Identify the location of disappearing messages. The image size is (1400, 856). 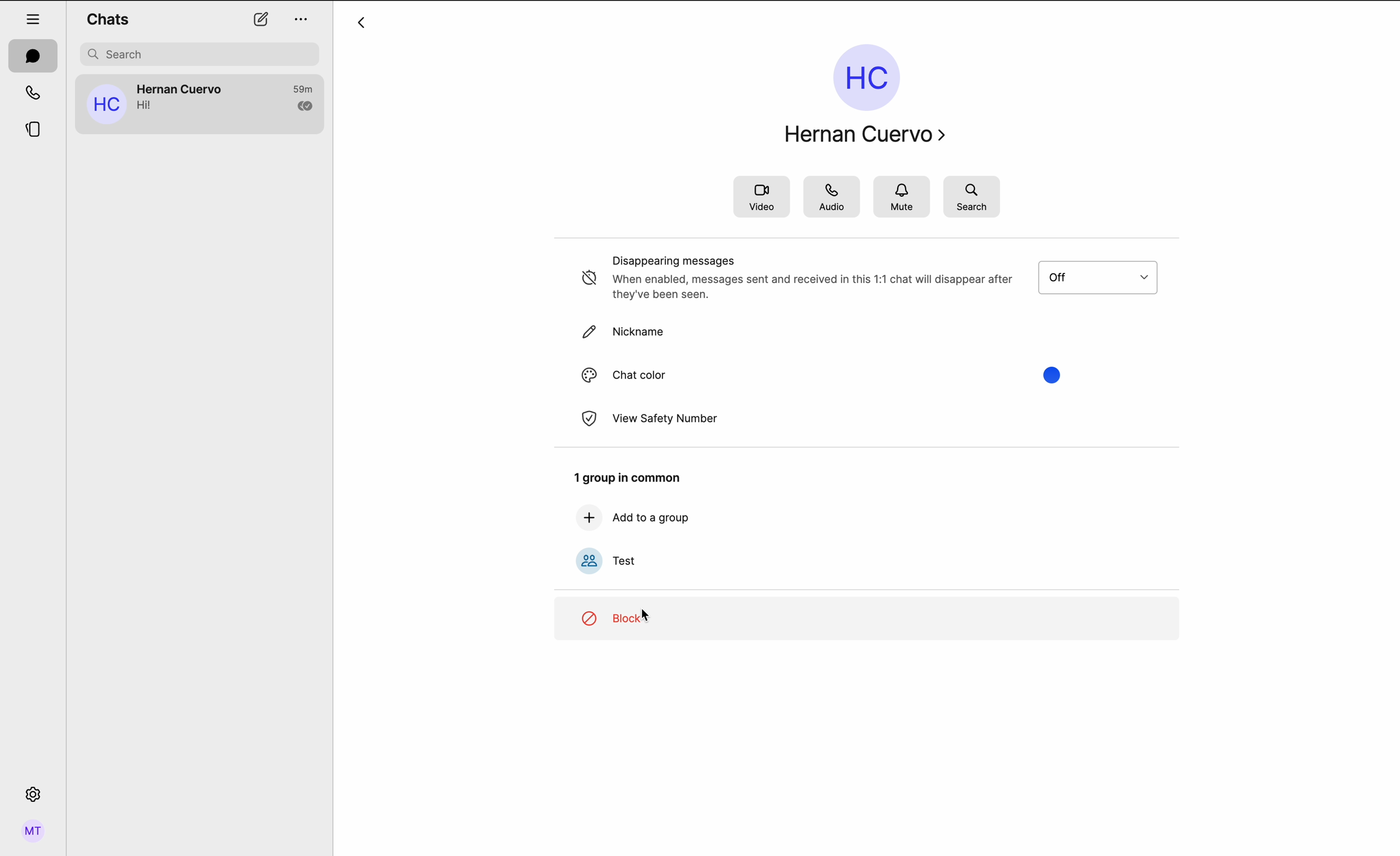
(872, 278).